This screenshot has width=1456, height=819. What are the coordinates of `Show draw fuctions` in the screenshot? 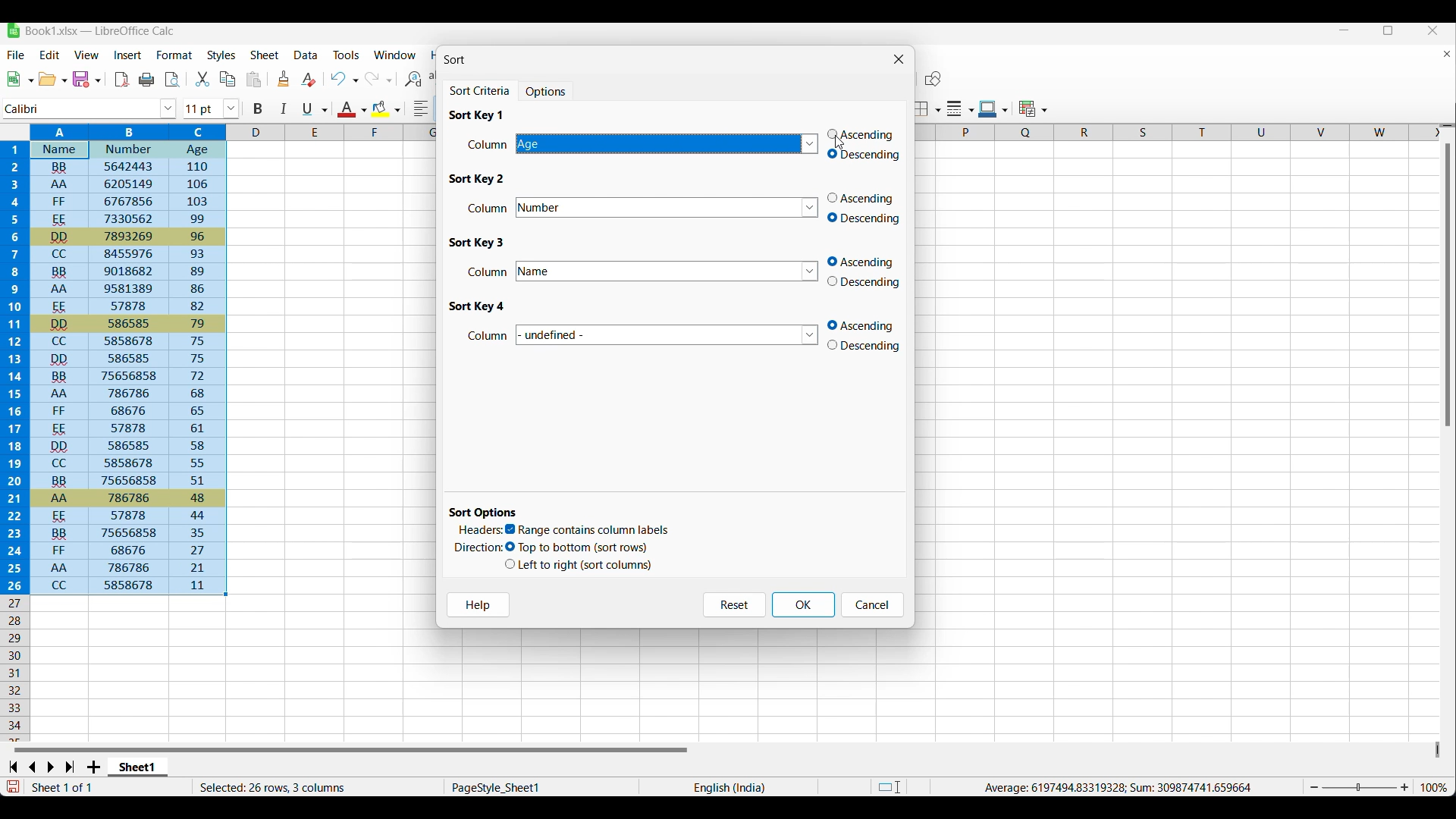 It's located at (934, 78).